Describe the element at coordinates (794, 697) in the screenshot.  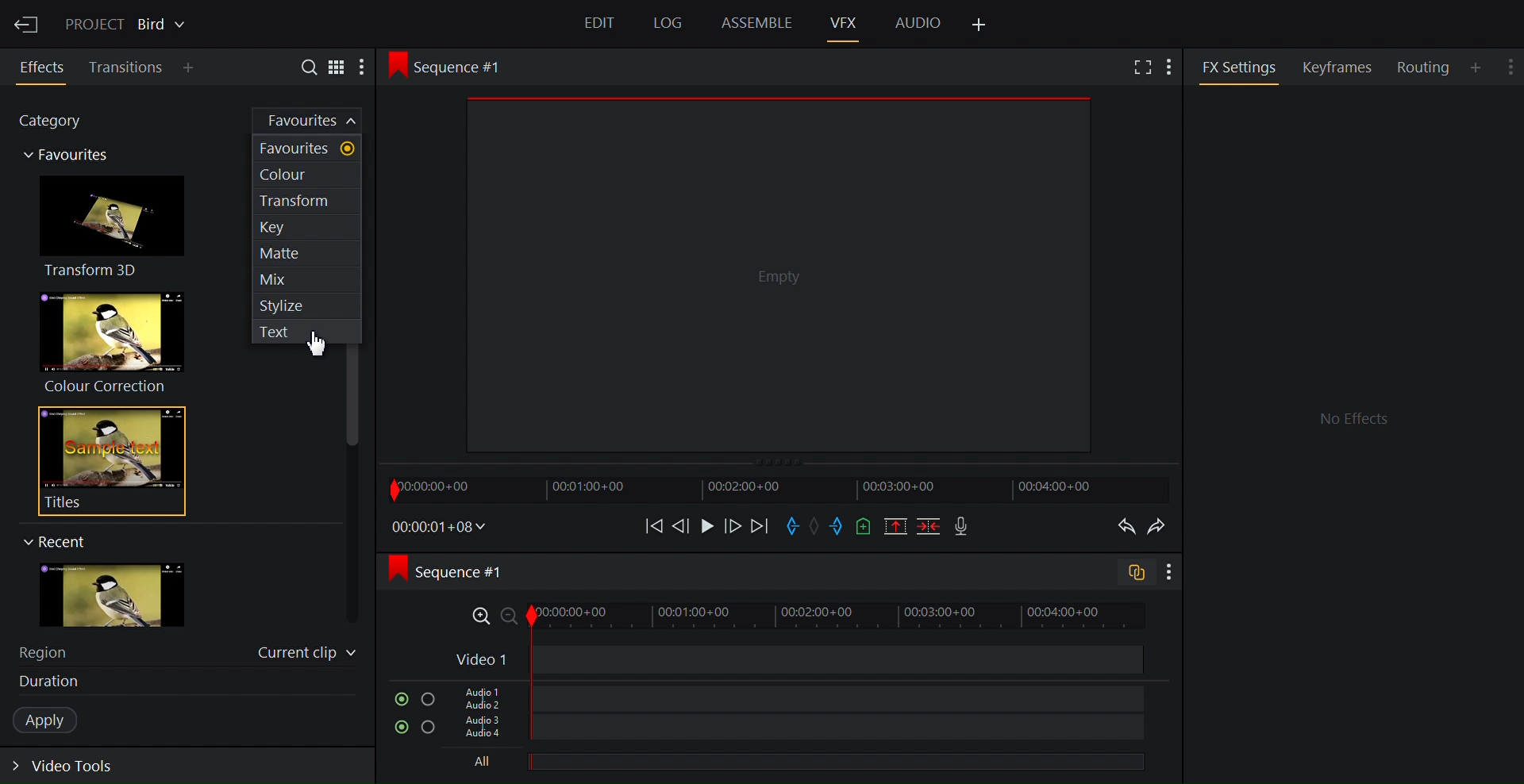
I see `Audio Track 1, Audio Track 2` at that location.